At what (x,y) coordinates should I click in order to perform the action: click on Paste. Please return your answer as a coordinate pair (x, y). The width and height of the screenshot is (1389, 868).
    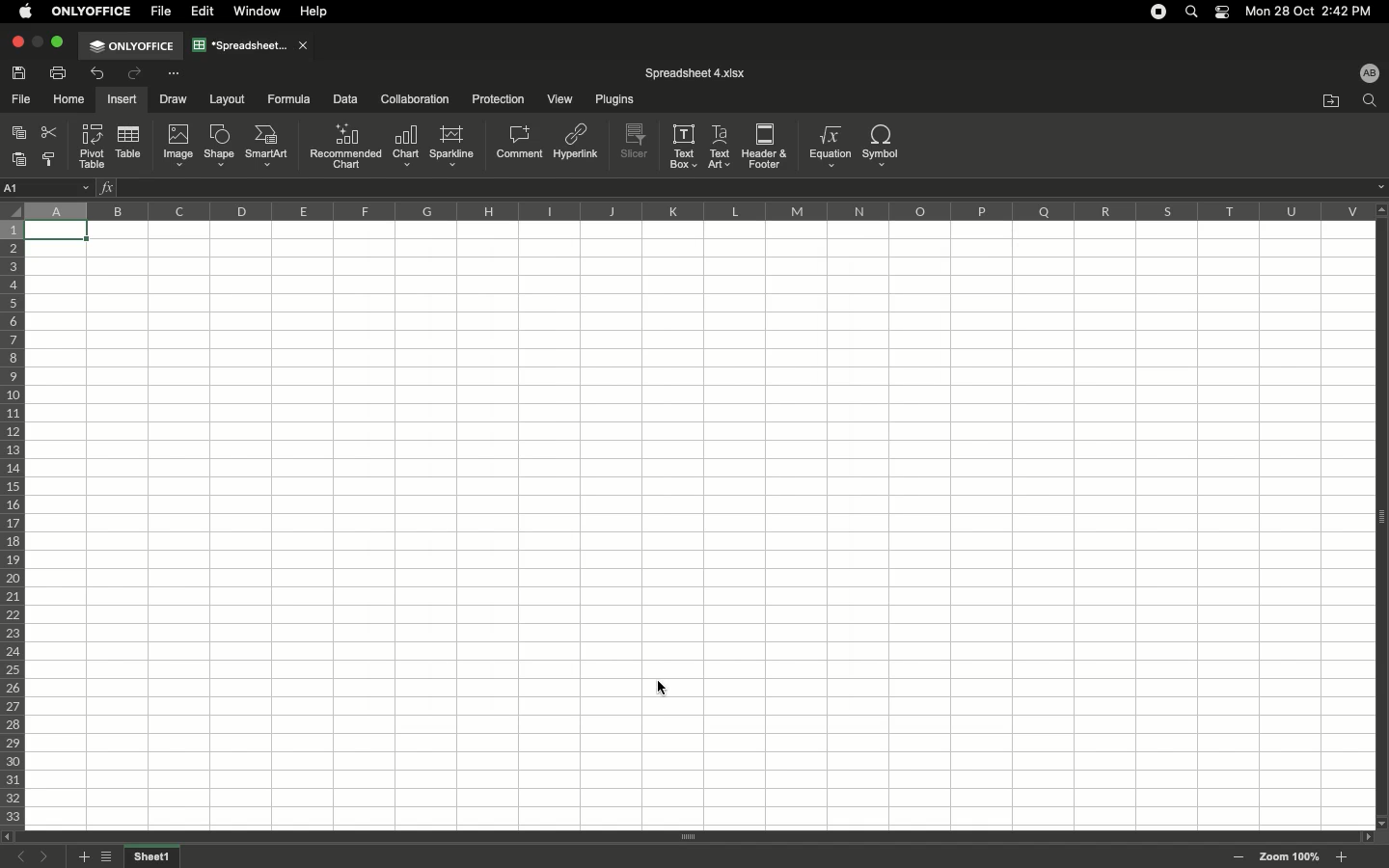
    Looking at the image, I should click on (21, 159).